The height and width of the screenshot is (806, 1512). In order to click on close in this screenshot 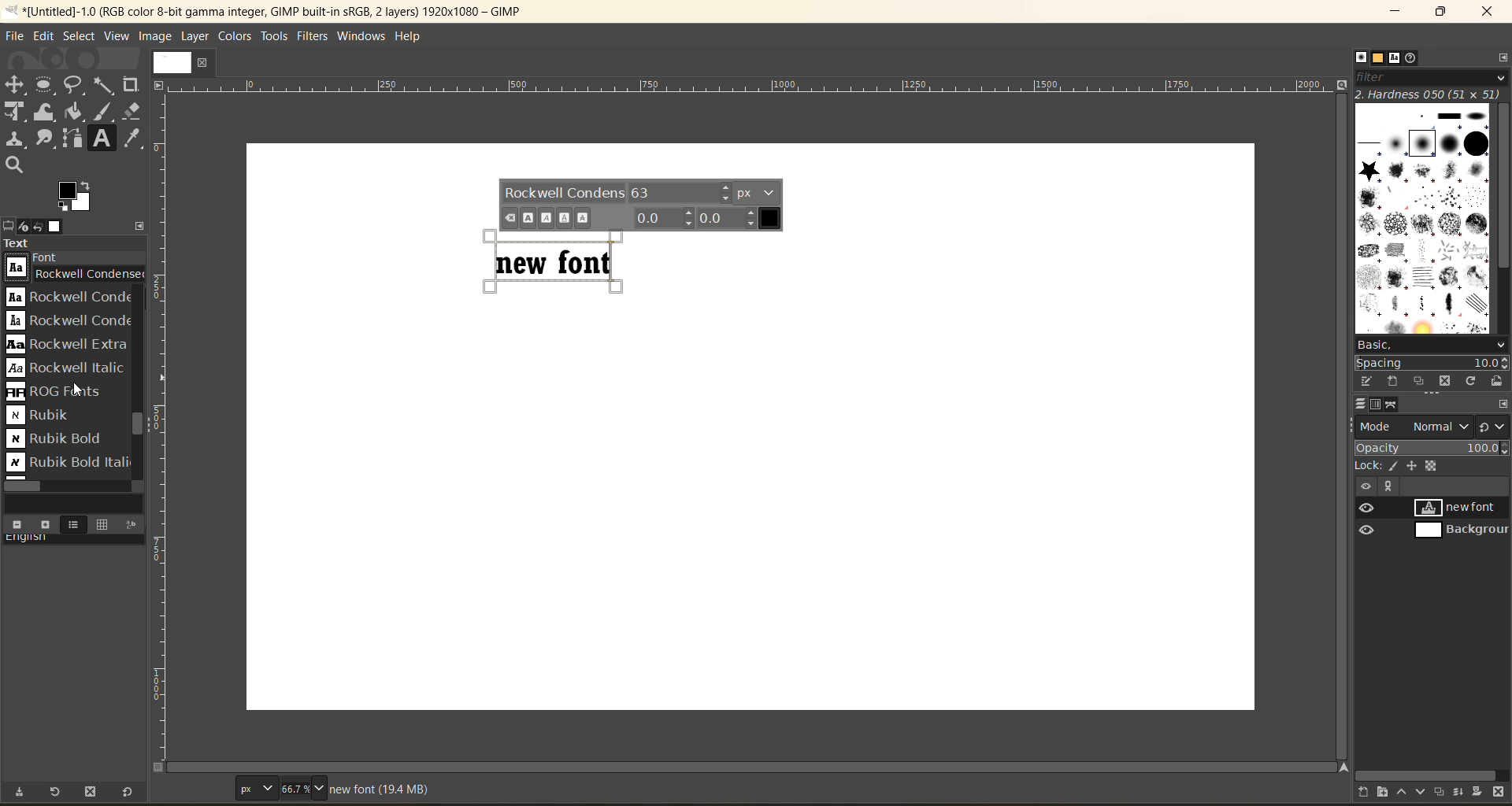, I will do `click(1492, 12)`.